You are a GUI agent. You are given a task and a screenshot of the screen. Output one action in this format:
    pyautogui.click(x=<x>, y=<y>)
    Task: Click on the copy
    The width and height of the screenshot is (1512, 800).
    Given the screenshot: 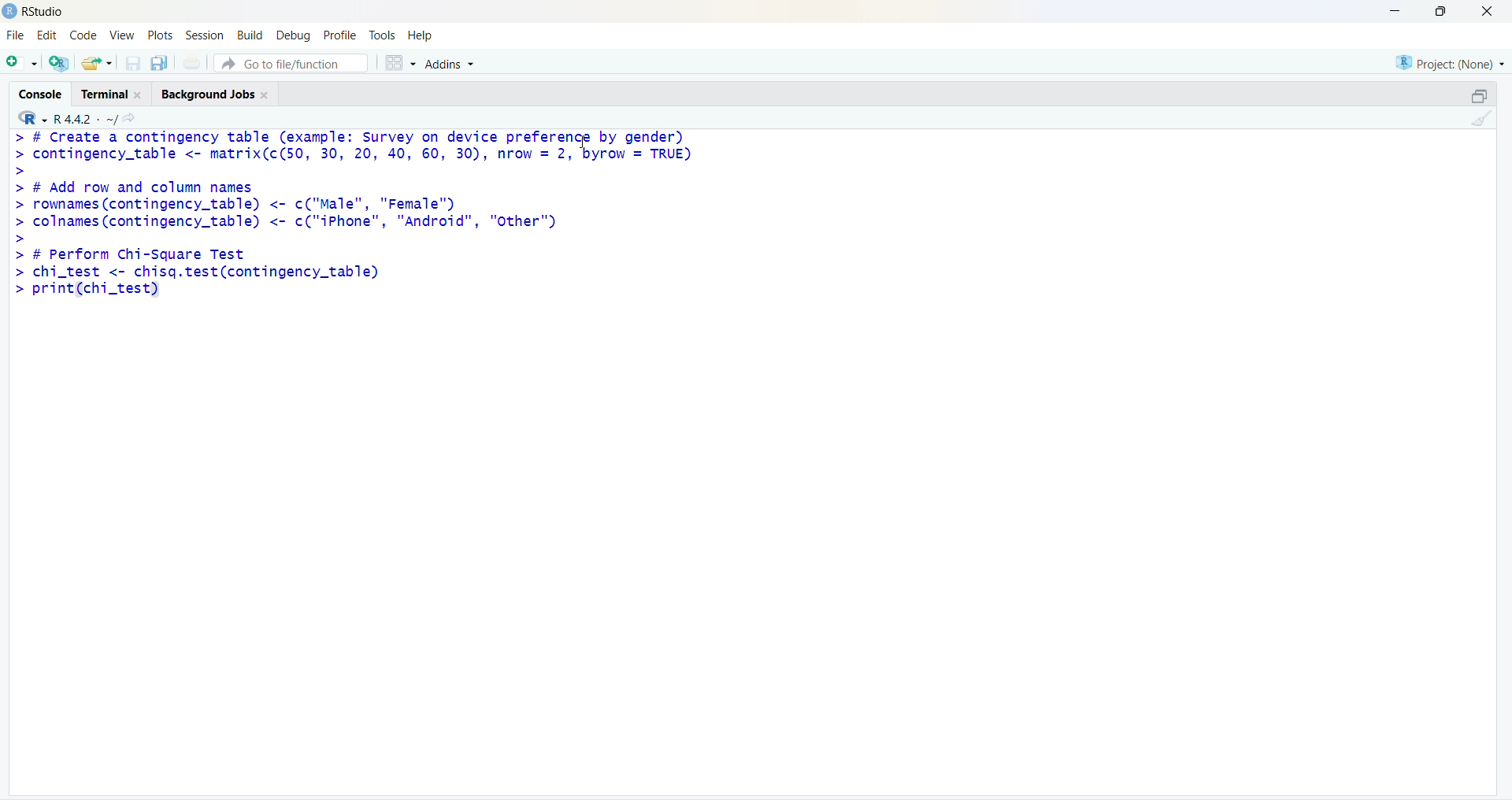 What is the action you would take?
    pyautogui.click(x=159, y=62)
    